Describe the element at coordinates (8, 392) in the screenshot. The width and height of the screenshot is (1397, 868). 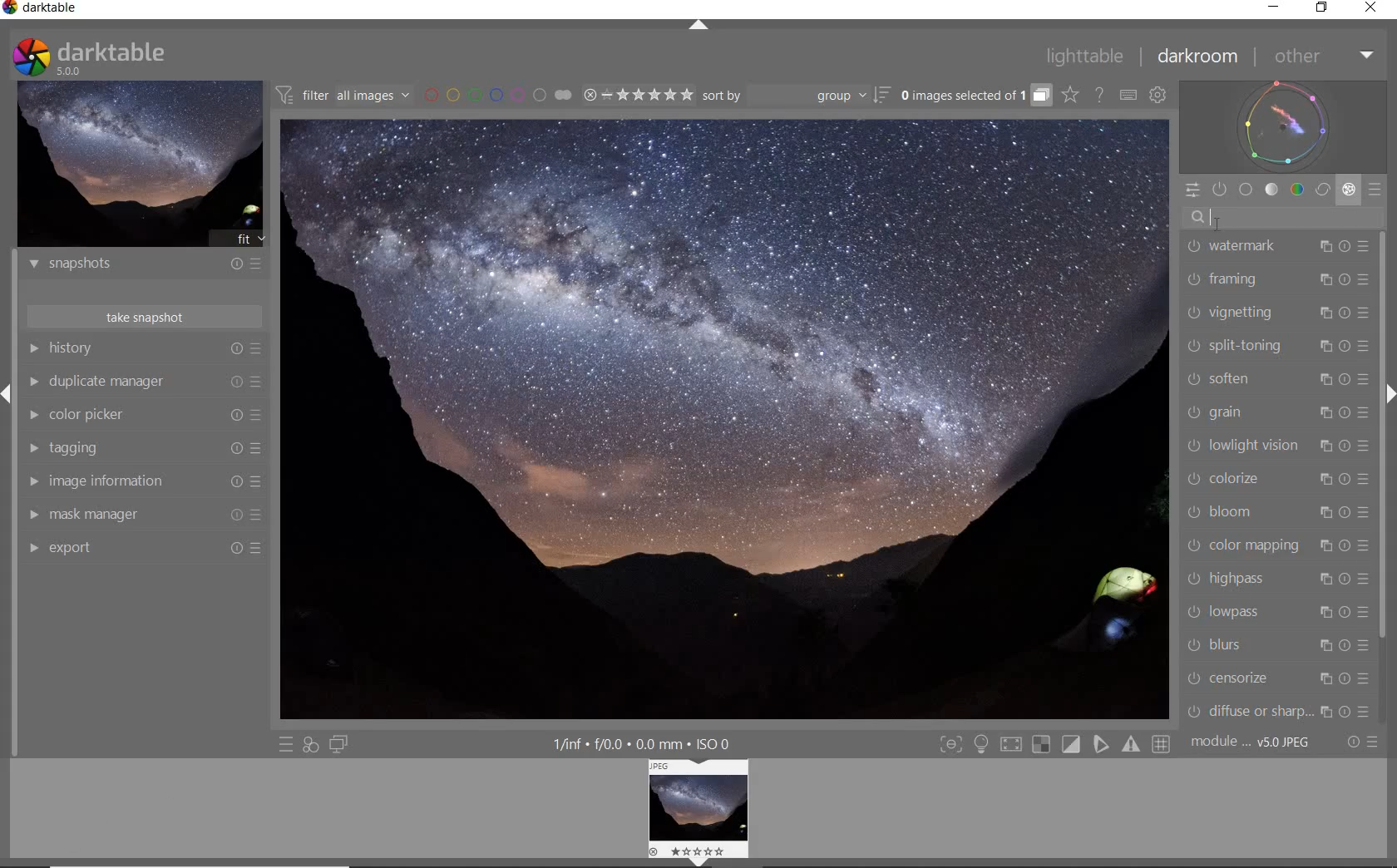
I see `EXPAND` at that location.